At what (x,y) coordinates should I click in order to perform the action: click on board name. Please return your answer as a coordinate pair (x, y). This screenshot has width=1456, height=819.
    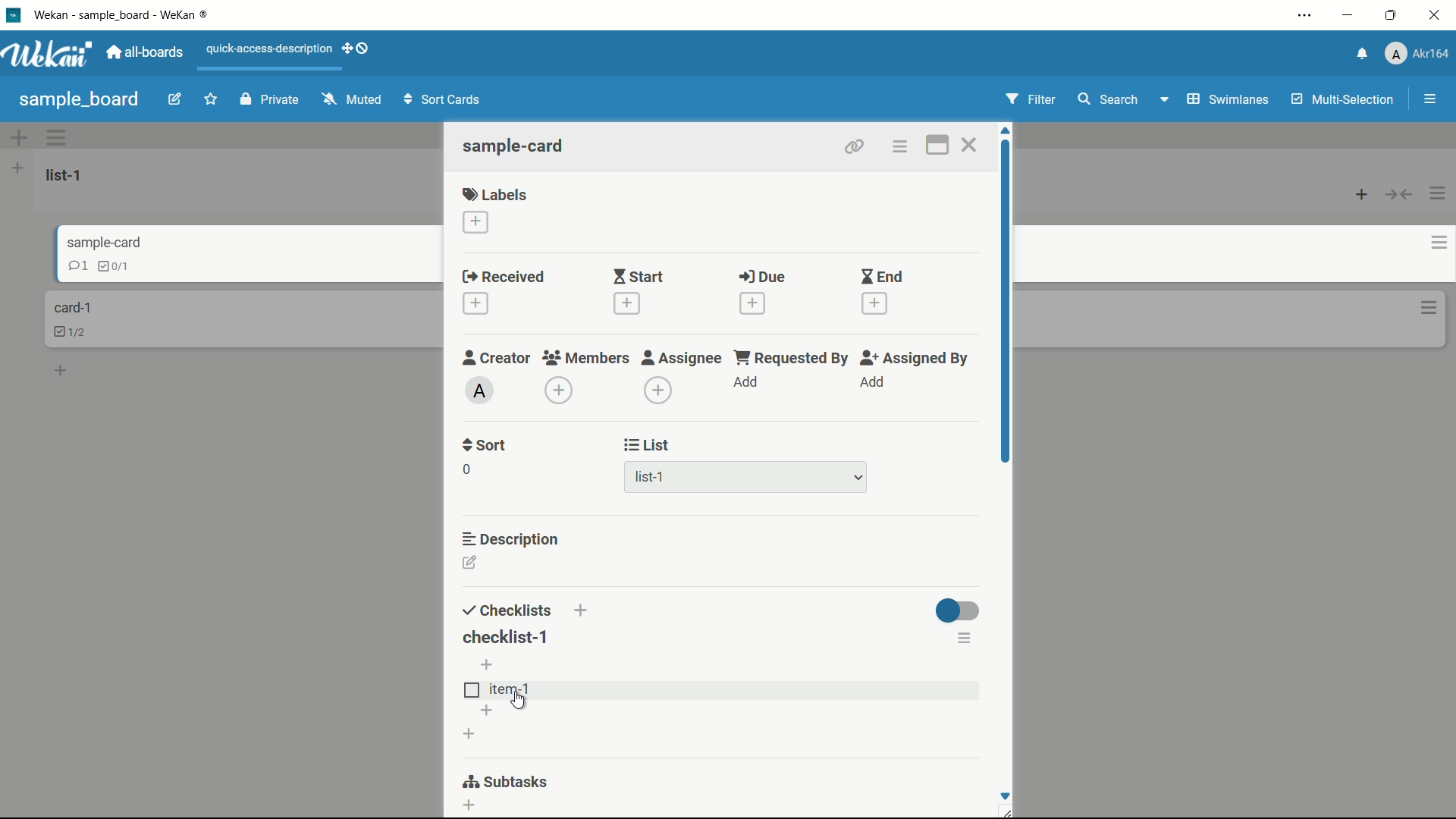
    Looking at the image, I should click on (79, 101).